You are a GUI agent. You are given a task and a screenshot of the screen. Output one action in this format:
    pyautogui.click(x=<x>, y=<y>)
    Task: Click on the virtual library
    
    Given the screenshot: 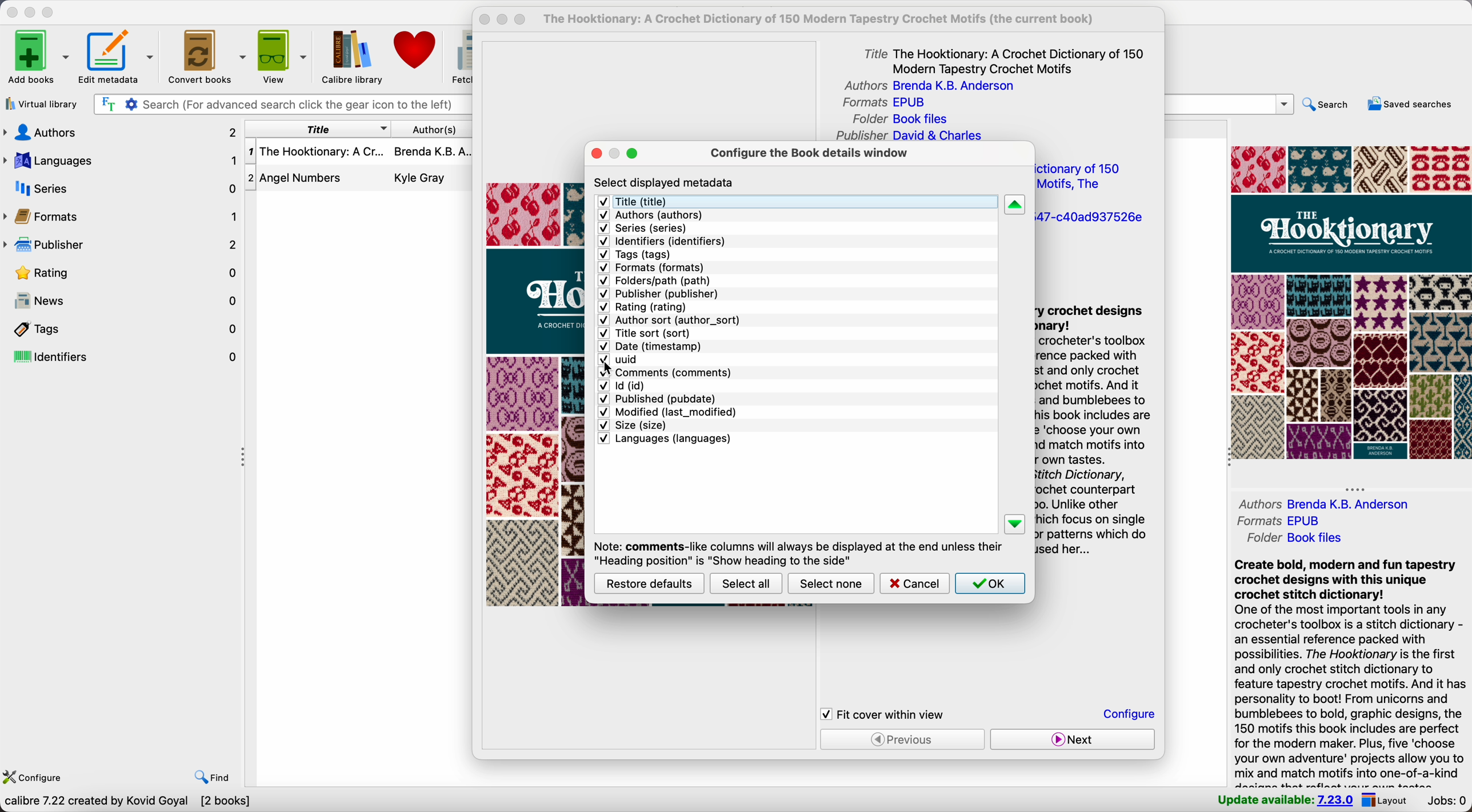 What is the action you would take?
    pyautogui.click(x=41, y=103)
    